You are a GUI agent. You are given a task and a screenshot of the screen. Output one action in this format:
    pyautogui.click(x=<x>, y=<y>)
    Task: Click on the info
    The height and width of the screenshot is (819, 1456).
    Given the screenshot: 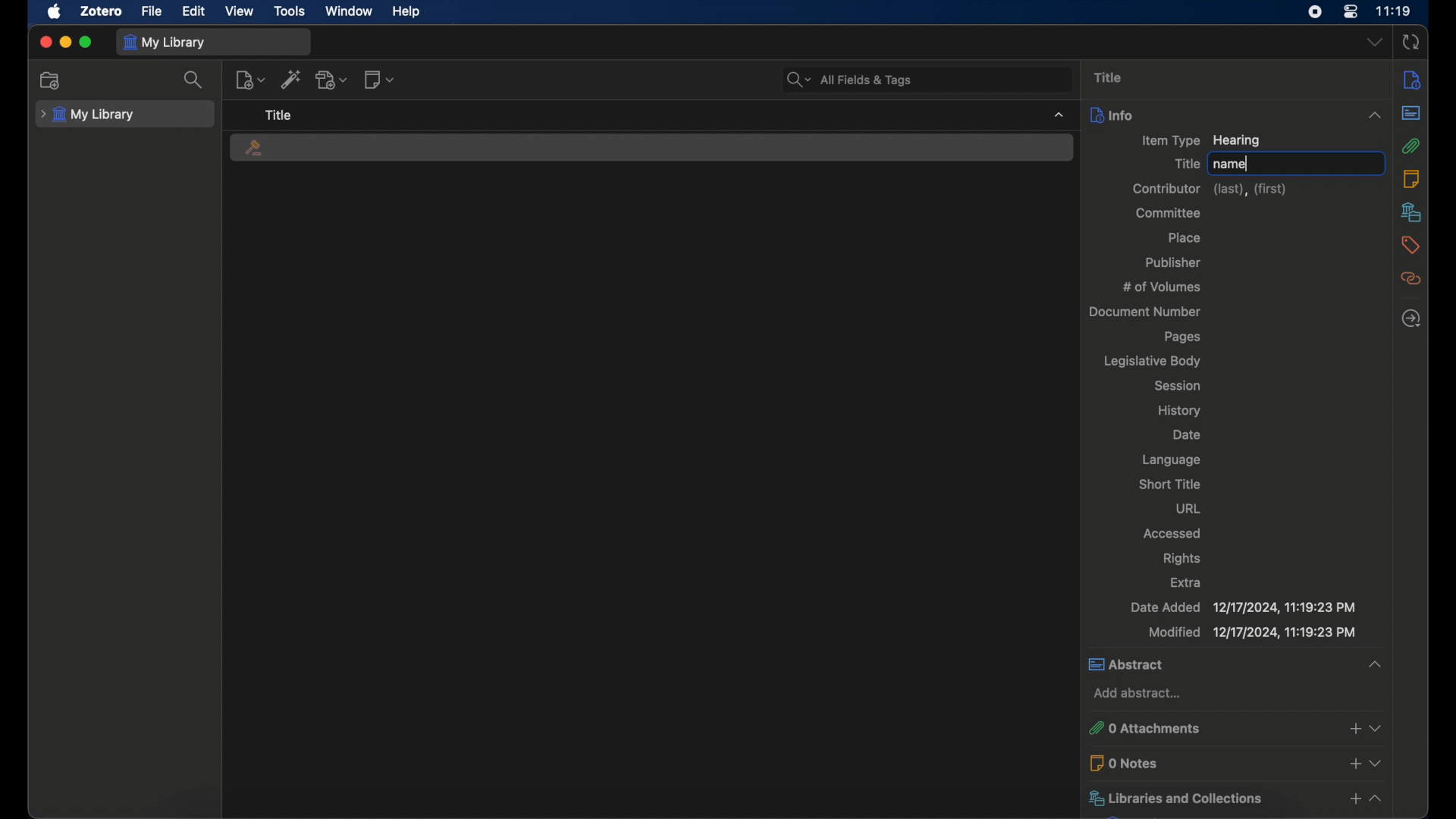 What is the action you would take?
    pyautogui.click(x=1411, y=80)
    